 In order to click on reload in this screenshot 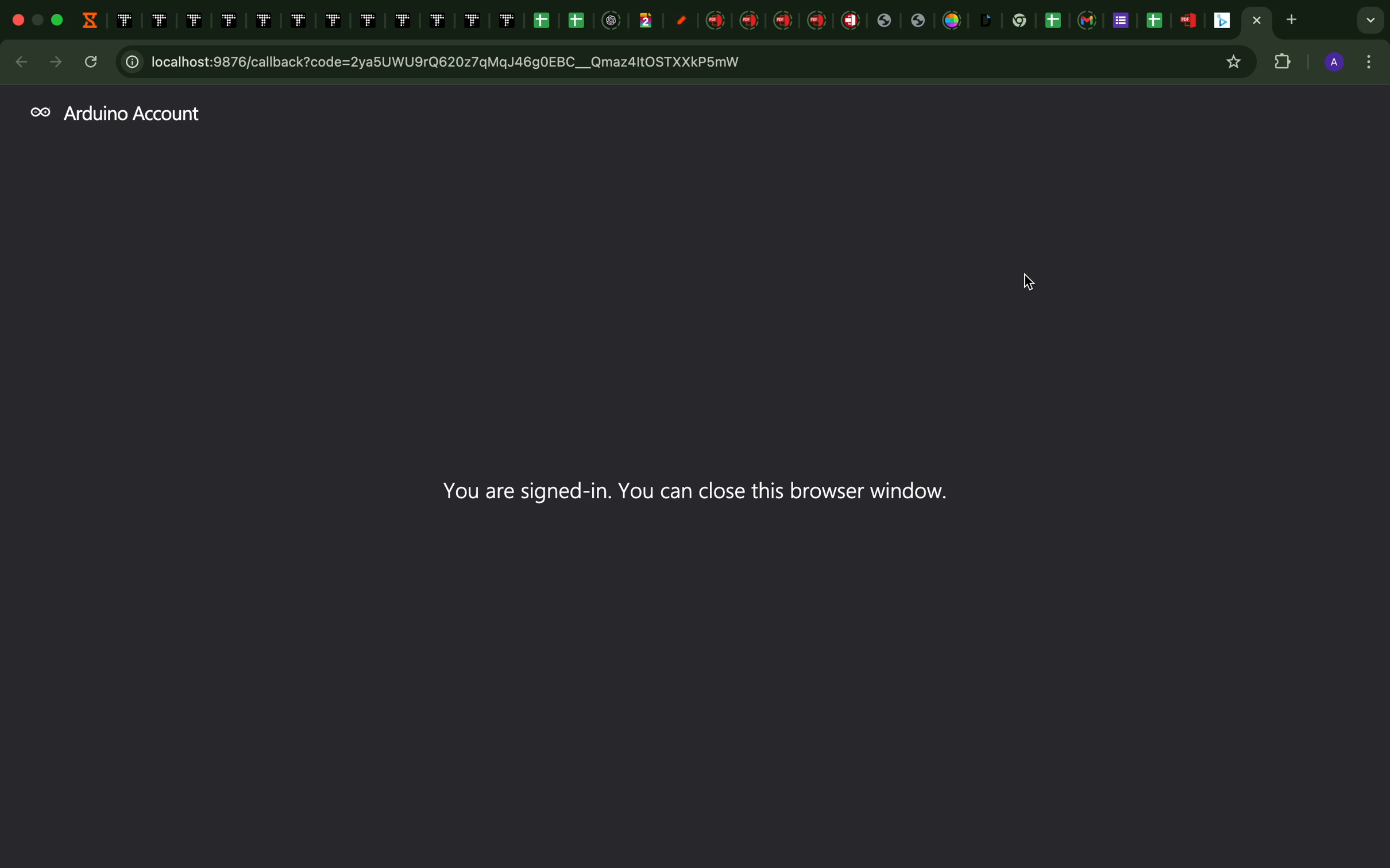, I will do `click(92, 61)`.